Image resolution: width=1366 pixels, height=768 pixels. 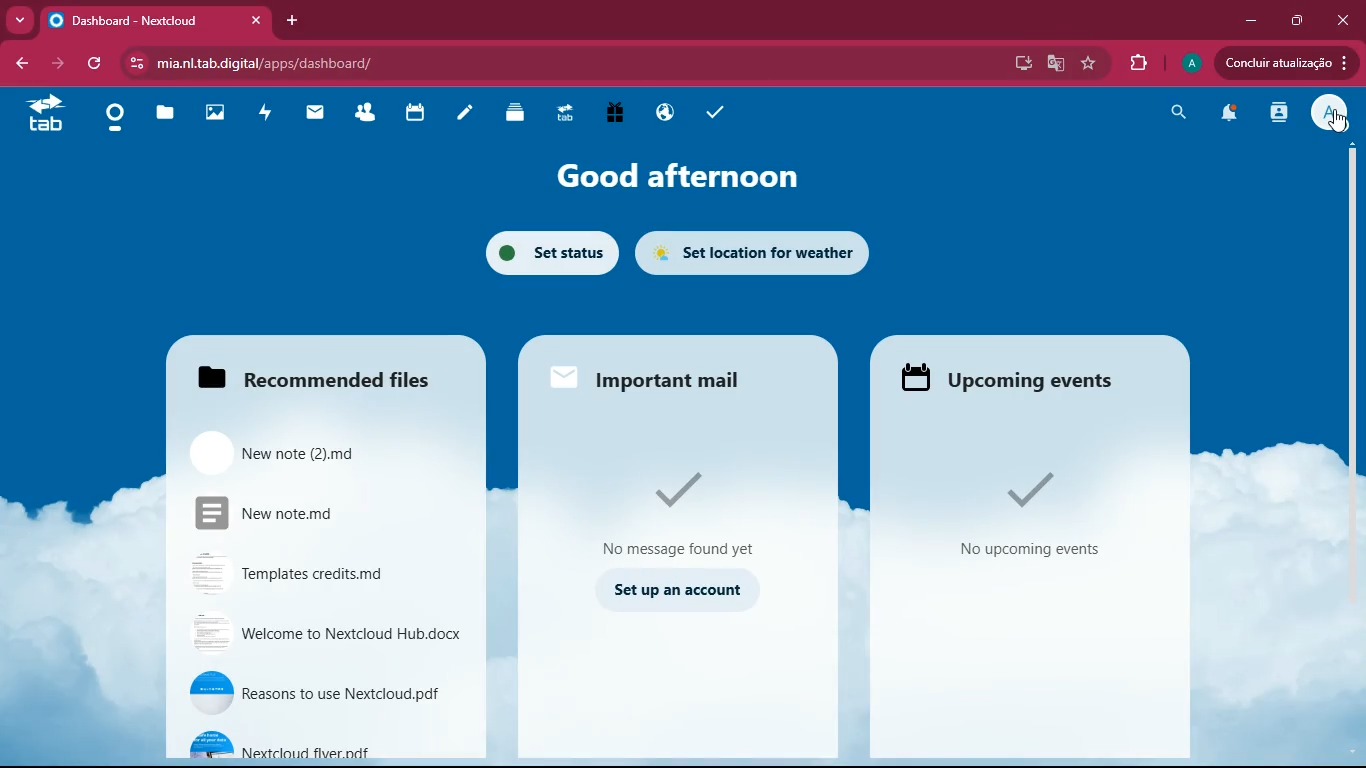 I want to click on desktop, so click(x=1020, y=65).